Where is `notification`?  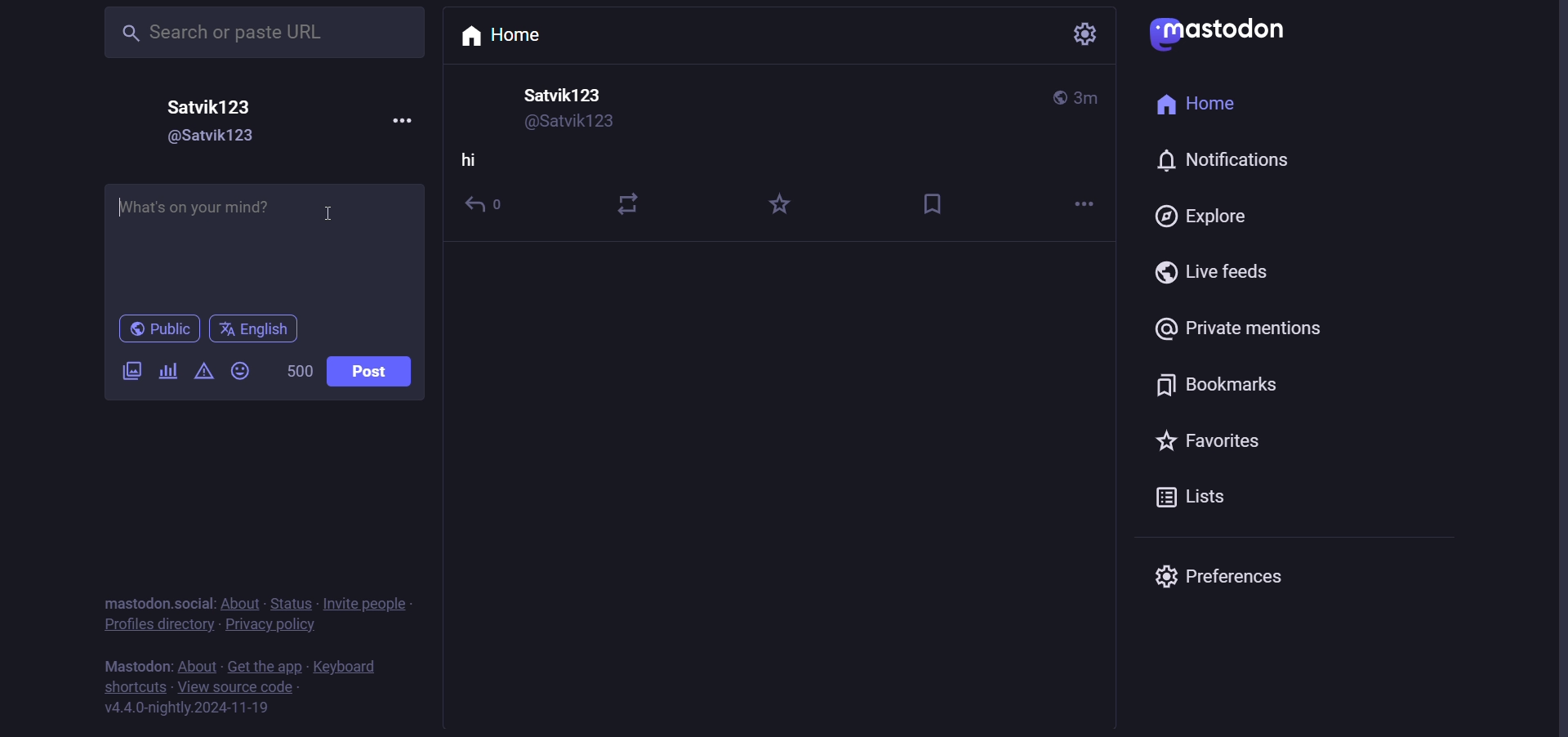 notification is located at coordinates (1218, 161).